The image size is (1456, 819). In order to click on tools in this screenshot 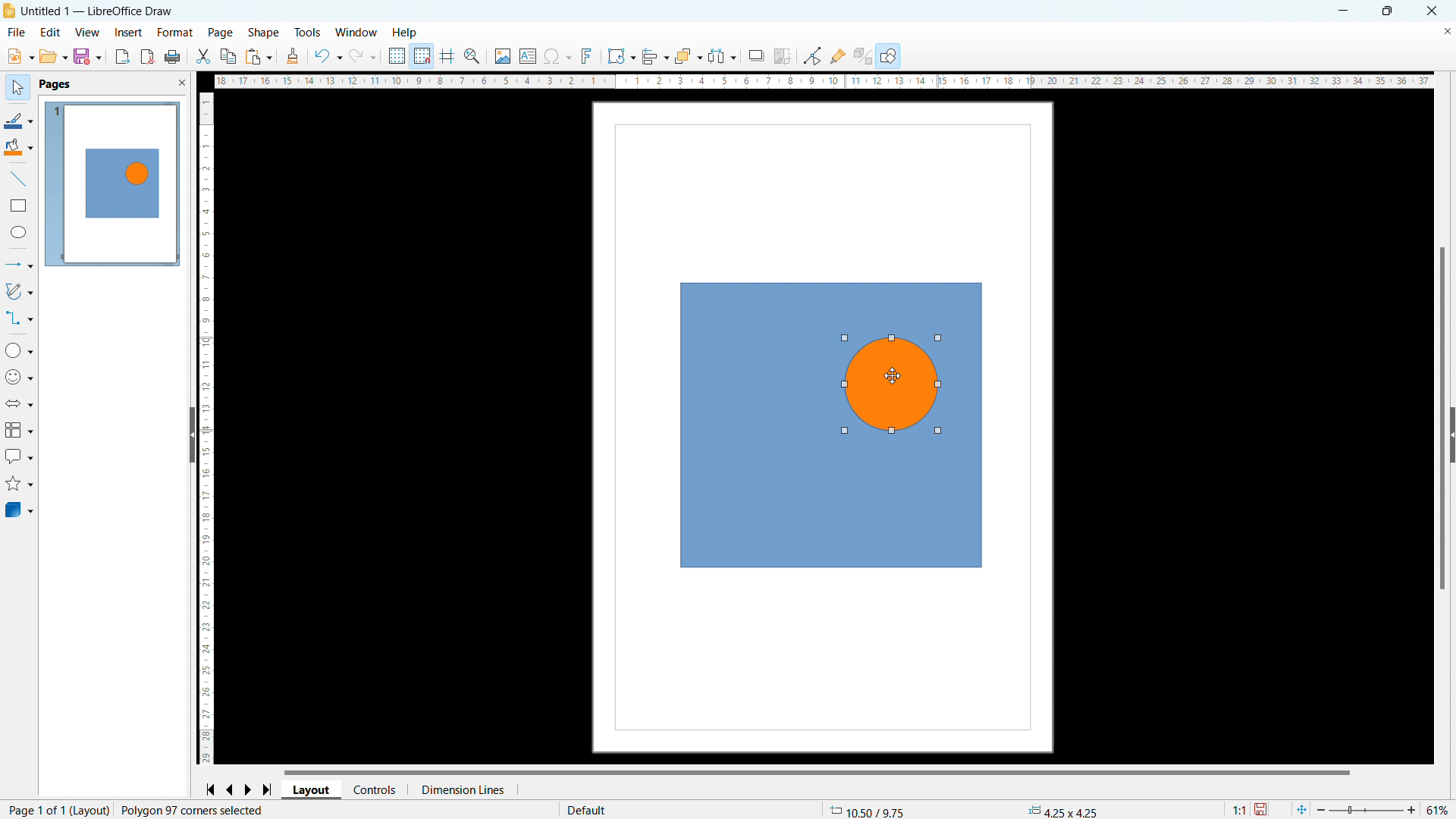, I will do `click(308, 32)`.